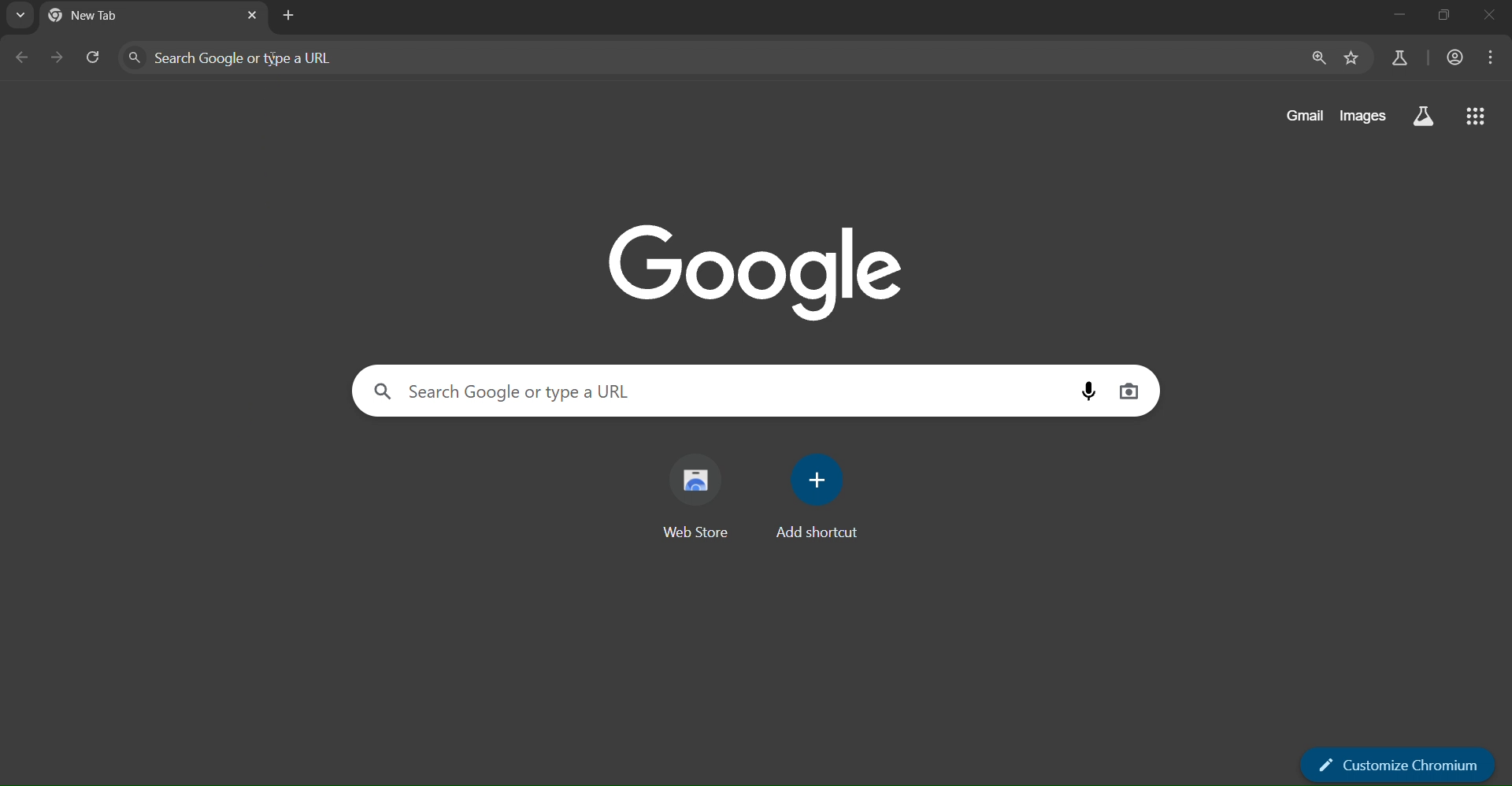 The image size is (1512, 786). Describe the element at coordinates (1352, 57) in the screenshot. I see `bookmark page` at that location.